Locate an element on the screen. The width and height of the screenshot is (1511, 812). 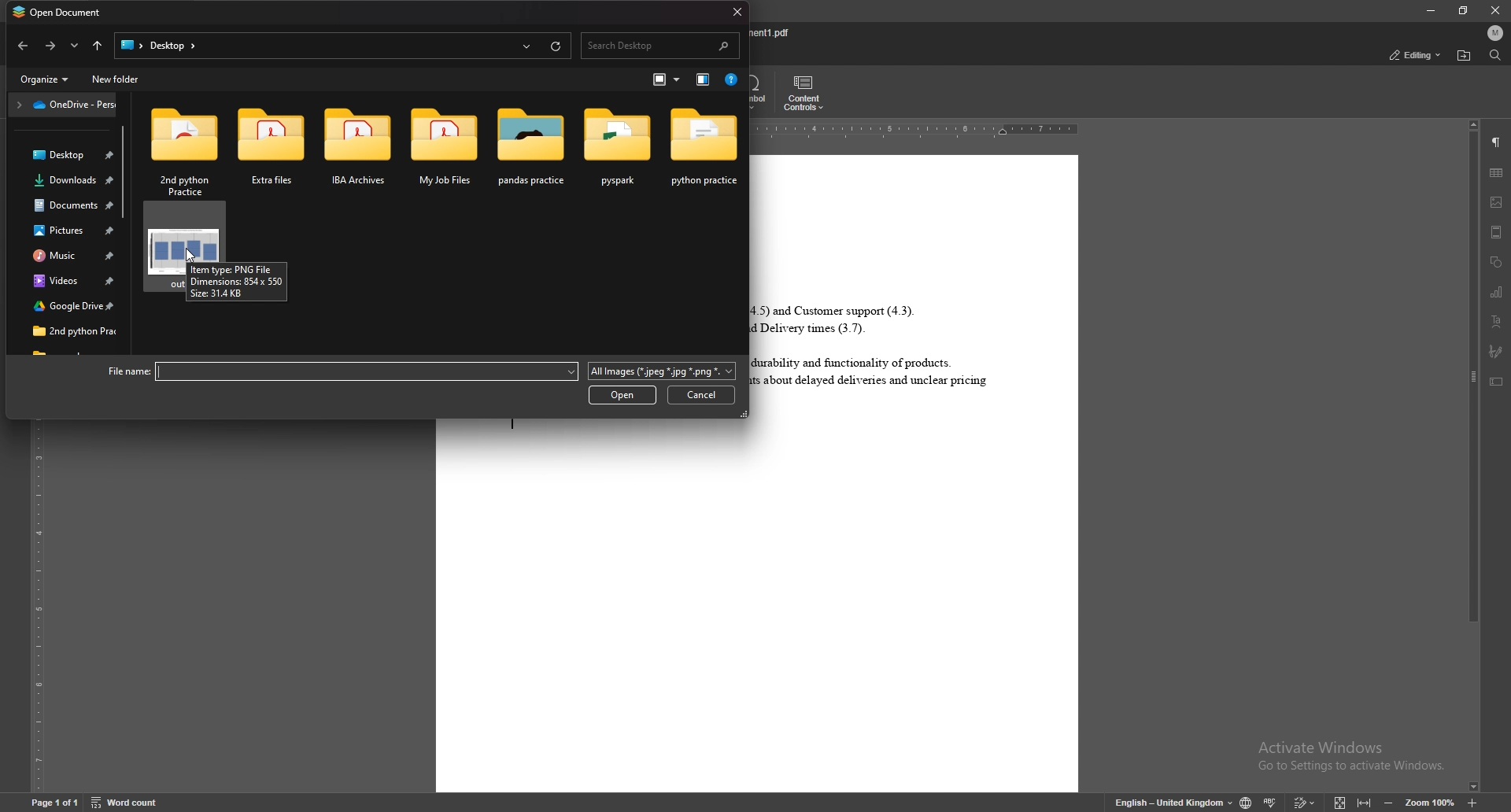
cursor description is located at coordinates (235, 281).